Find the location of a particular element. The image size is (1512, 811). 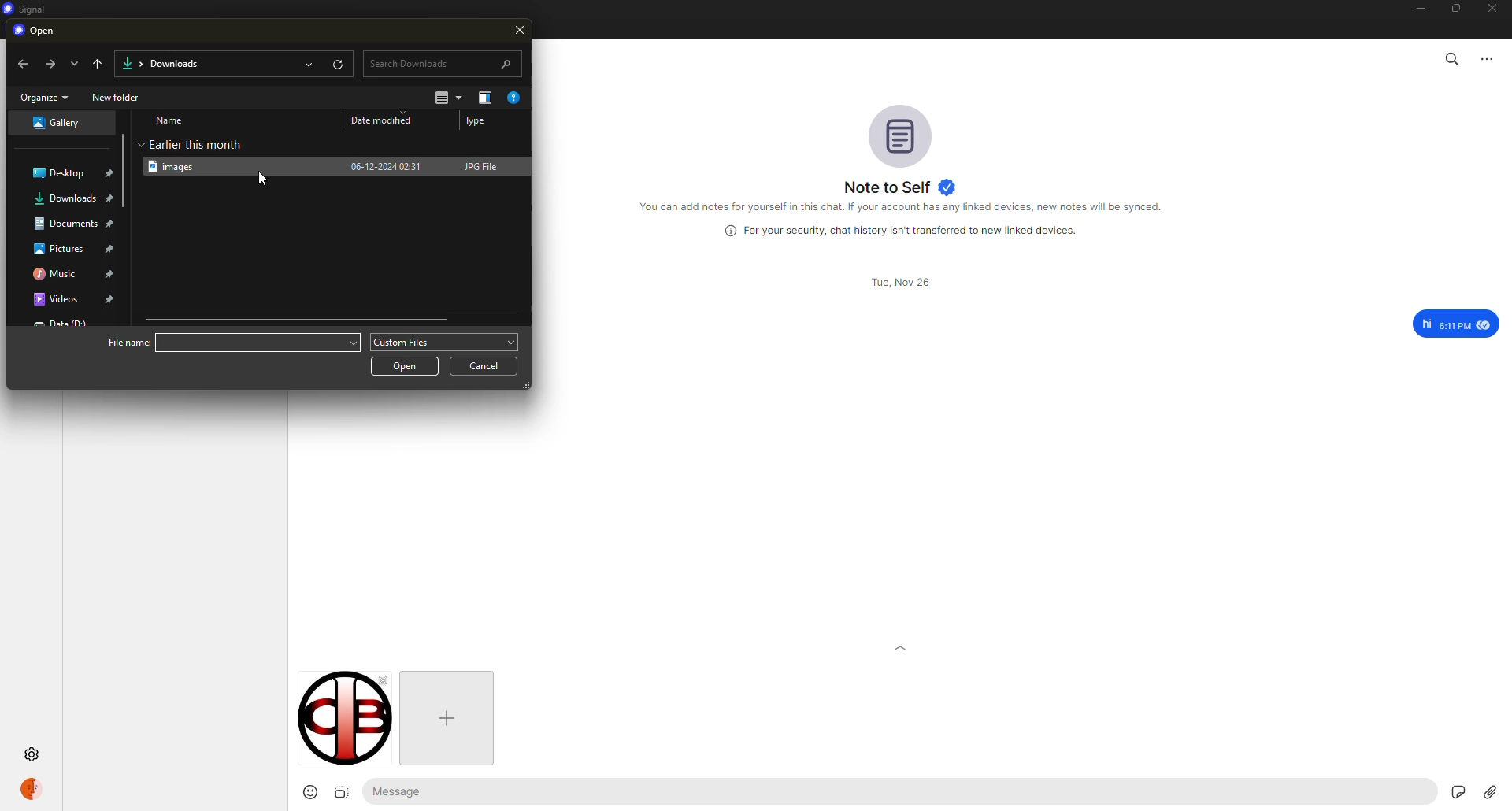

custom files is located at coordinates (405, 343).